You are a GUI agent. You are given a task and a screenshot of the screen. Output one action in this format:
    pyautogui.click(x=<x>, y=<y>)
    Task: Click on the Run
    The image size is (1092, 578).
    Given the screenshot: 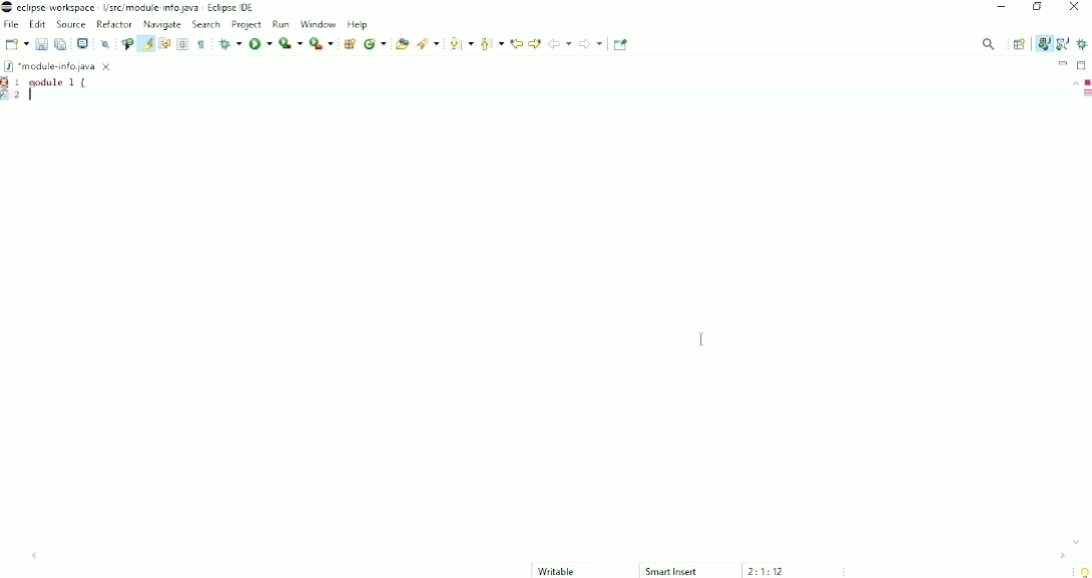 What is the action you would take?
    pyautogui.click(x=283, y=23)
    